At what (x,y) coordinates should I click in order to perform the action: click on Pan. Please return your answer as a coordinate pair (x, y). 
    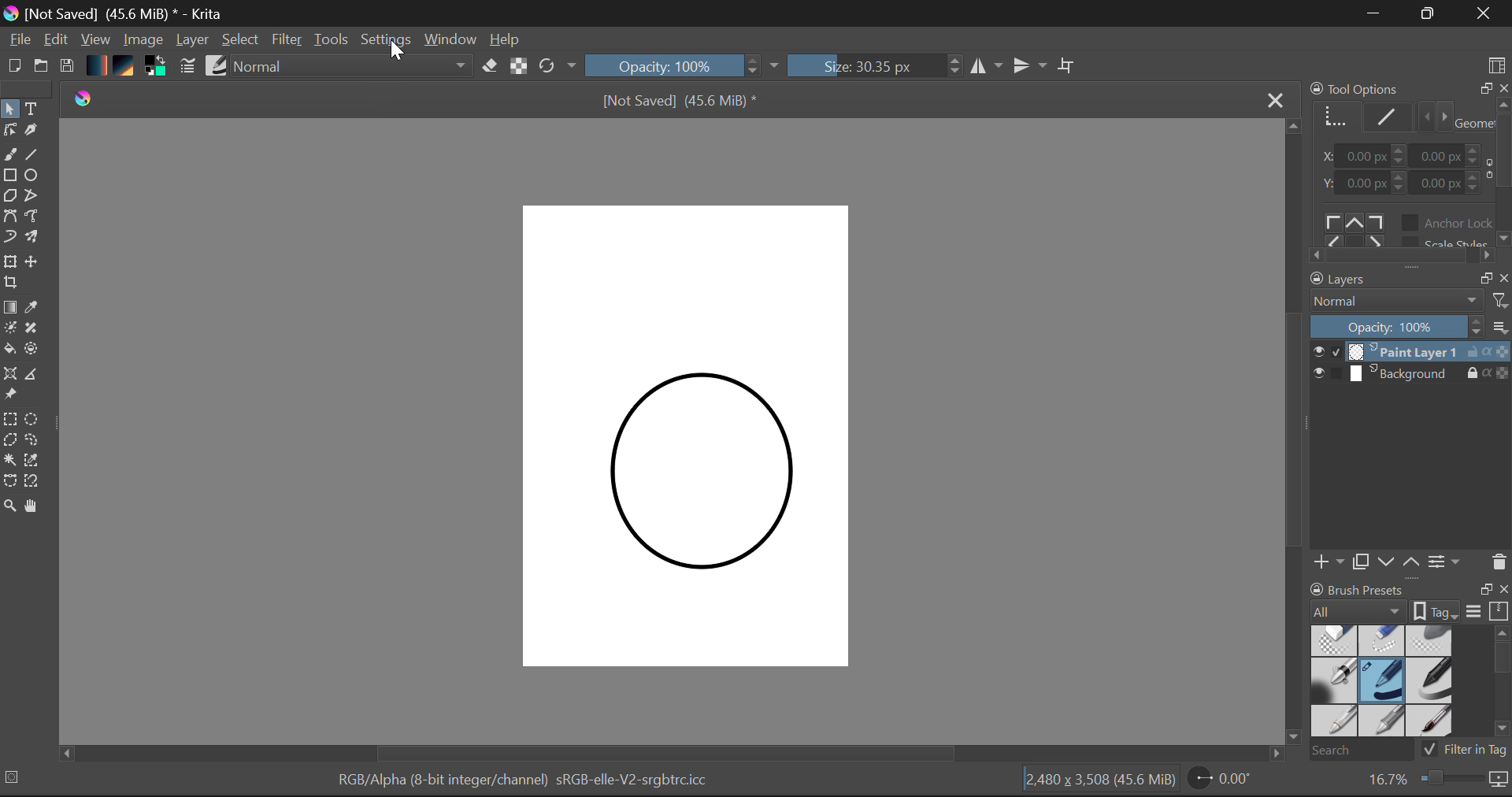
    Looking at the image, I should click on (35, 506).